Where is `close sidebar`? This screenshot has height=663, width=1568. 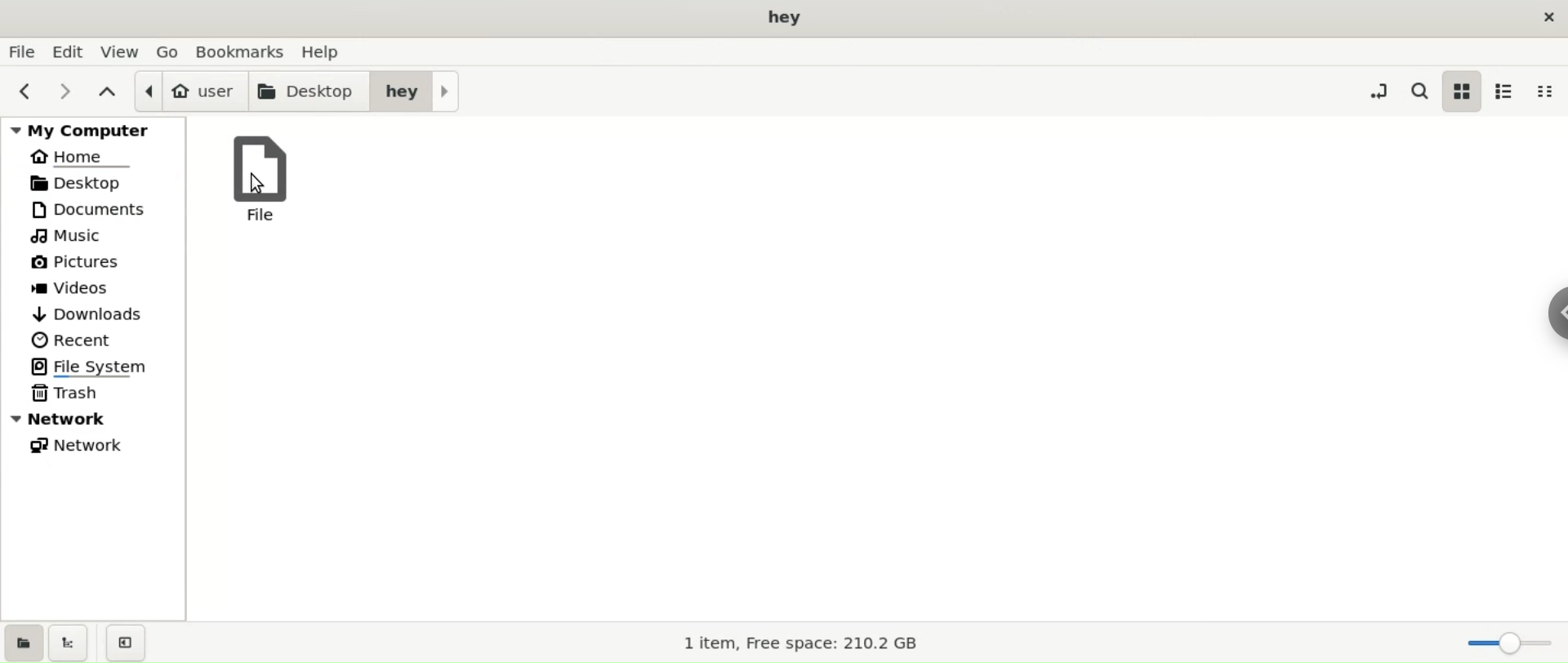
close sidebar is located at coordinates (128, 641).